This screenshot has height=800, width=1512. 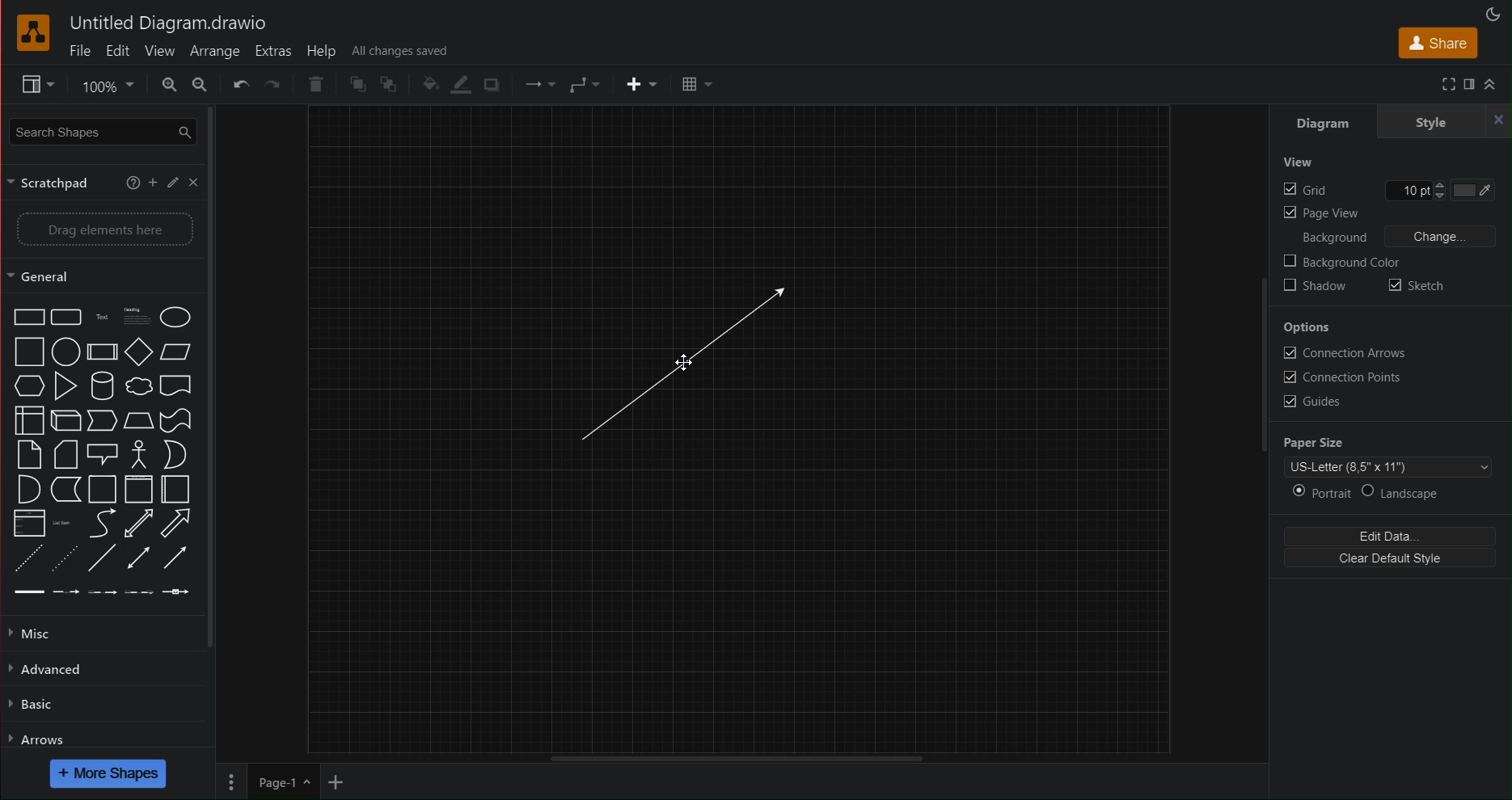 What do you see at coordinates (1342, 377) in the screenshot?
I see `Connection Points` at bounding box center [1342, 377].